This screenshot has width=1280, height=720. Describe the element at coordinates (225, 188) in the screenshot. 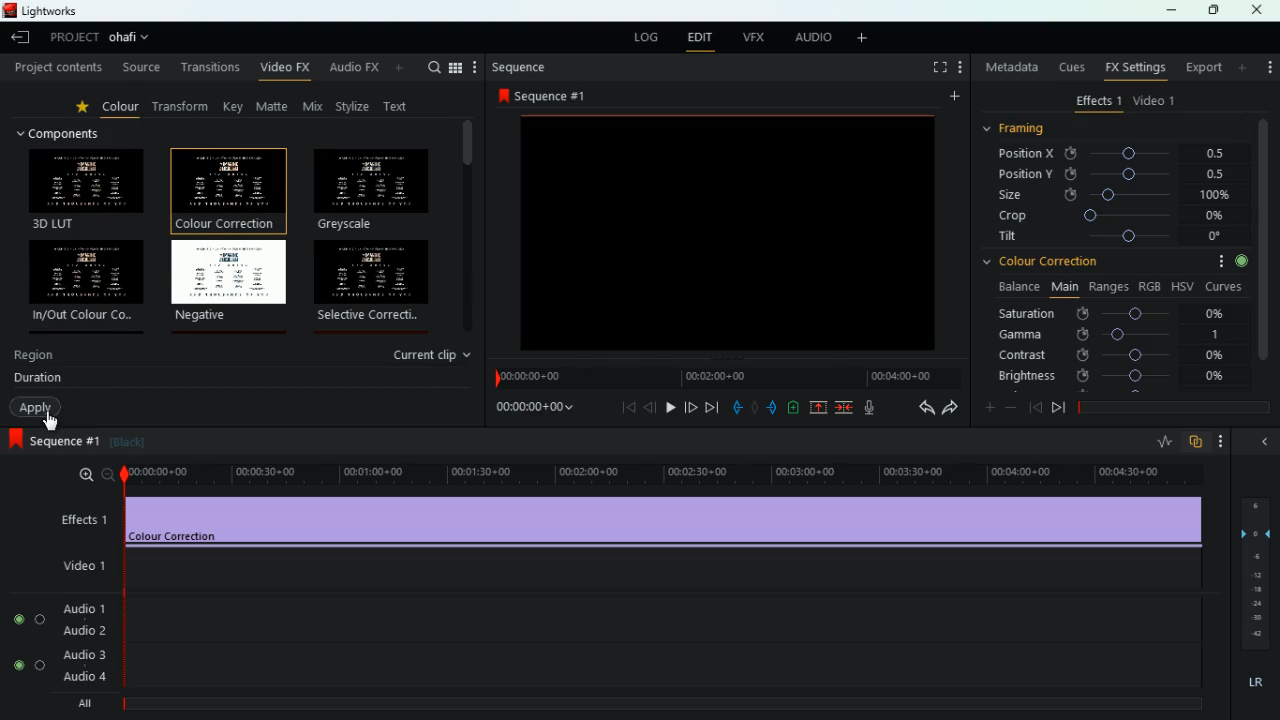

I see `colour correction` at that location.